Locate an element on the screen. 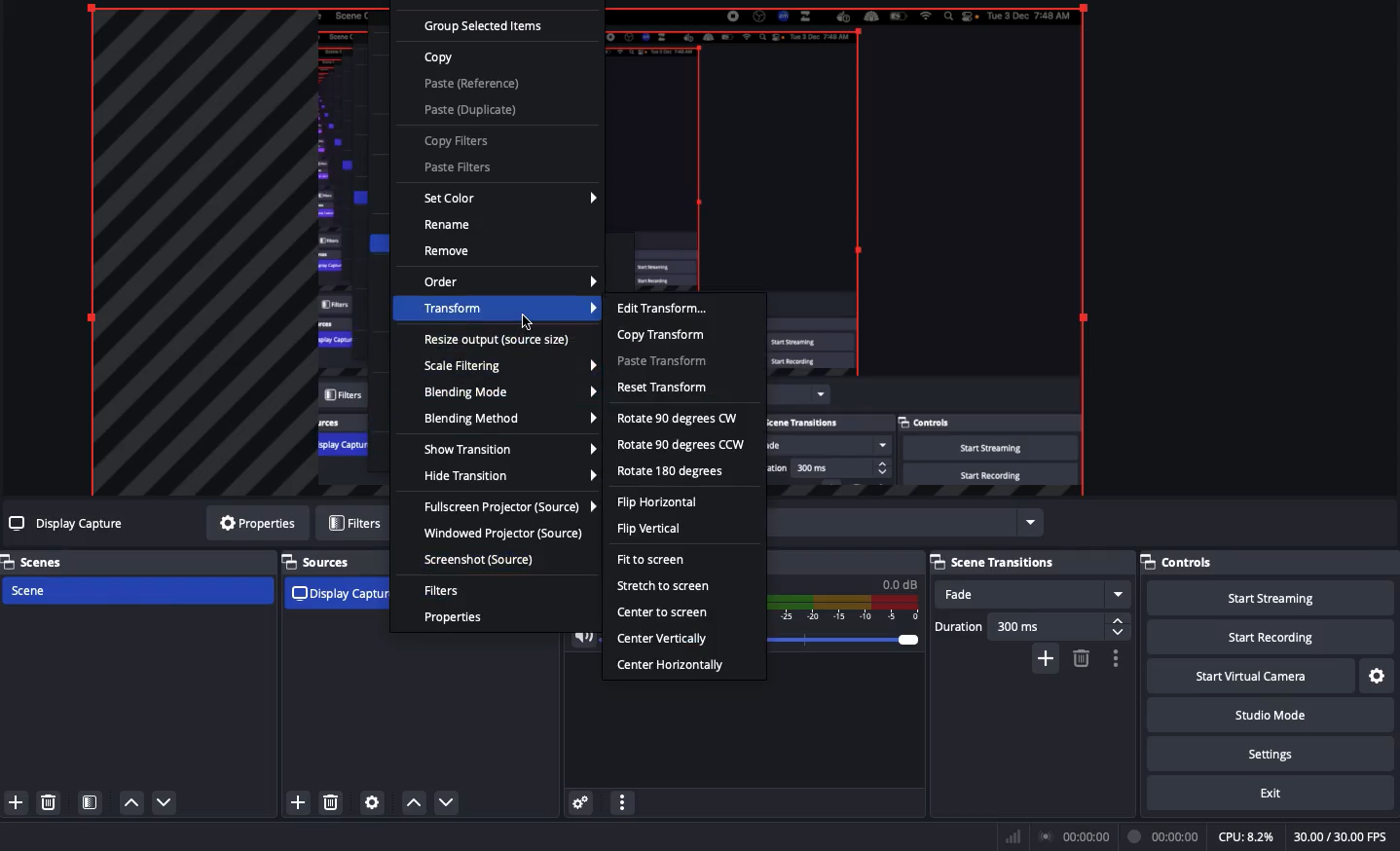  Properties is located at coordinates (259, 525).